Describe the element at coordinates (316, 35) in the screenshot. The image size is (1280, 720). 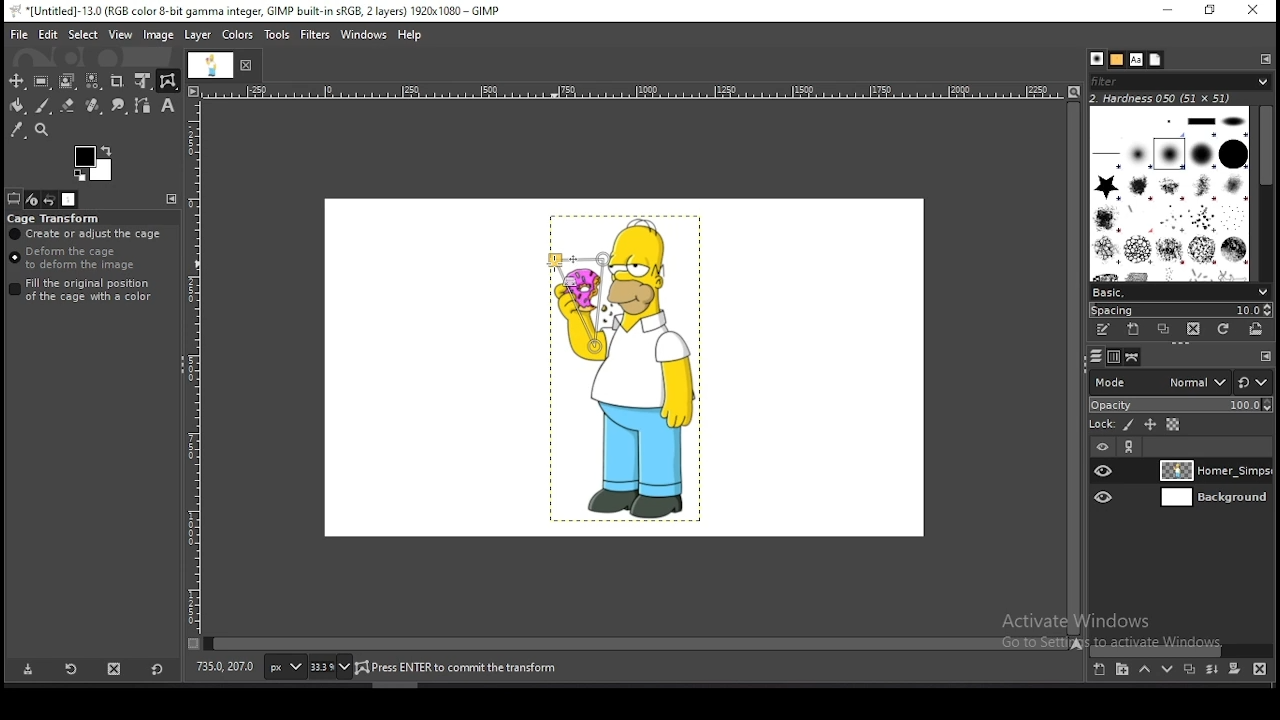
I see `filters` at that location.